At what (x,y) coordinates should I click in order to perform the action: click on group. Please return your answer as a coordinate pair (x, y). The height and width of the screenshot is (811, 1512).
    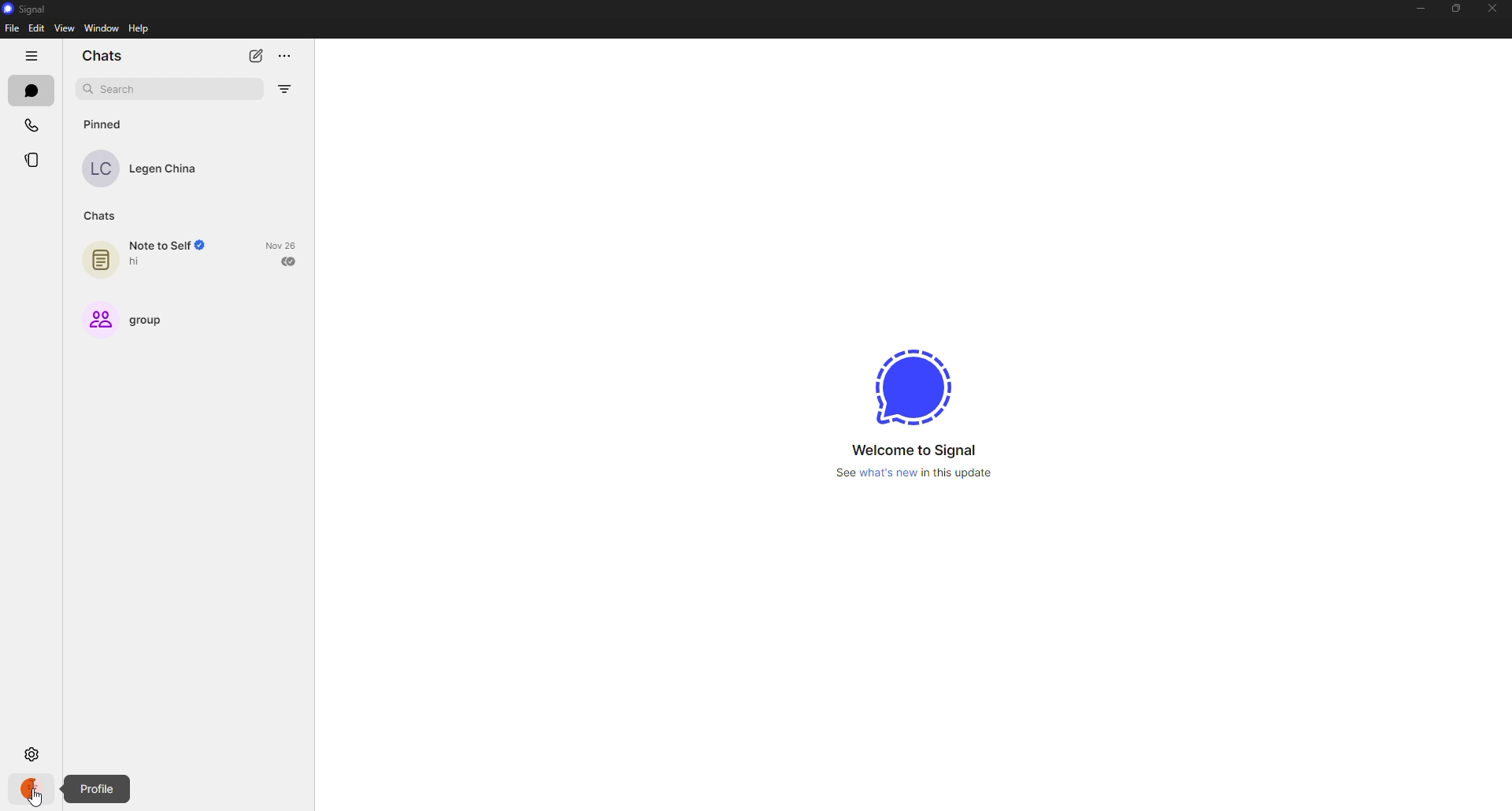
    Looking at the image, I should click on (130, 322).